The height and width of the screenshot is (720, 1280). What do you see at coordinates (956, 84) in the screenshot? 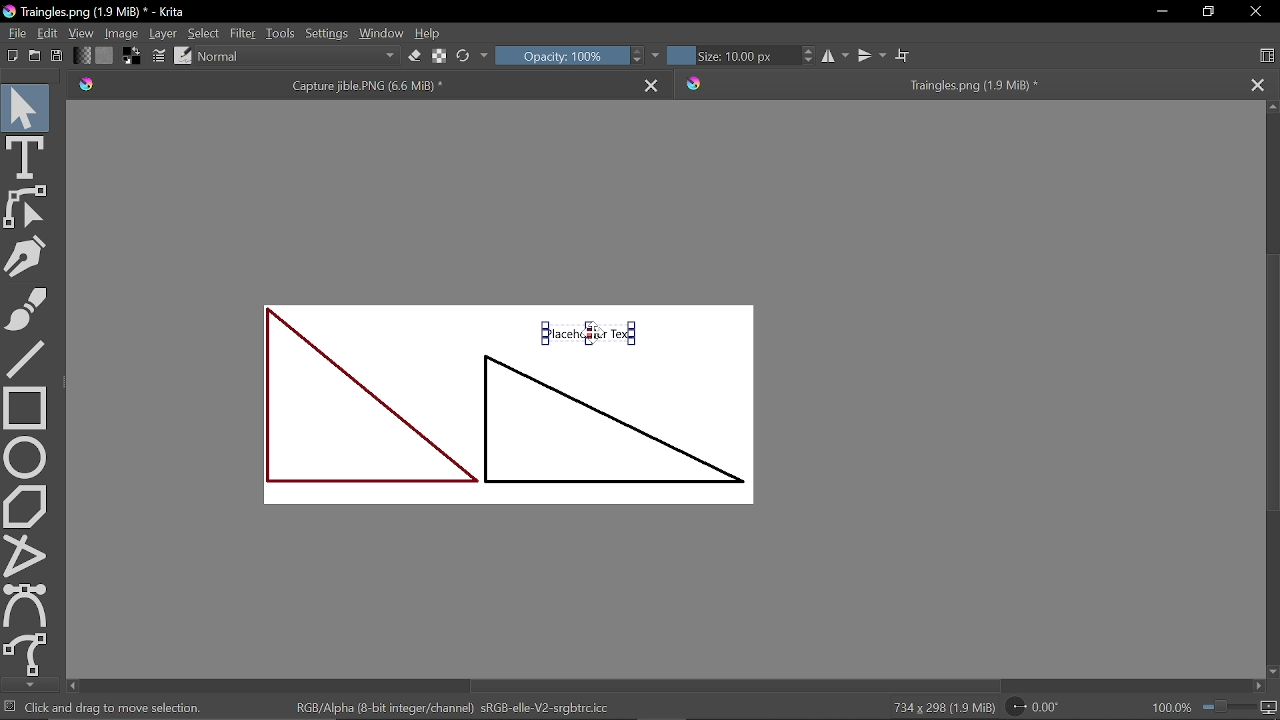
I see `Traingles.png (1.9 MiB) *` at bounding box center [956, 84].